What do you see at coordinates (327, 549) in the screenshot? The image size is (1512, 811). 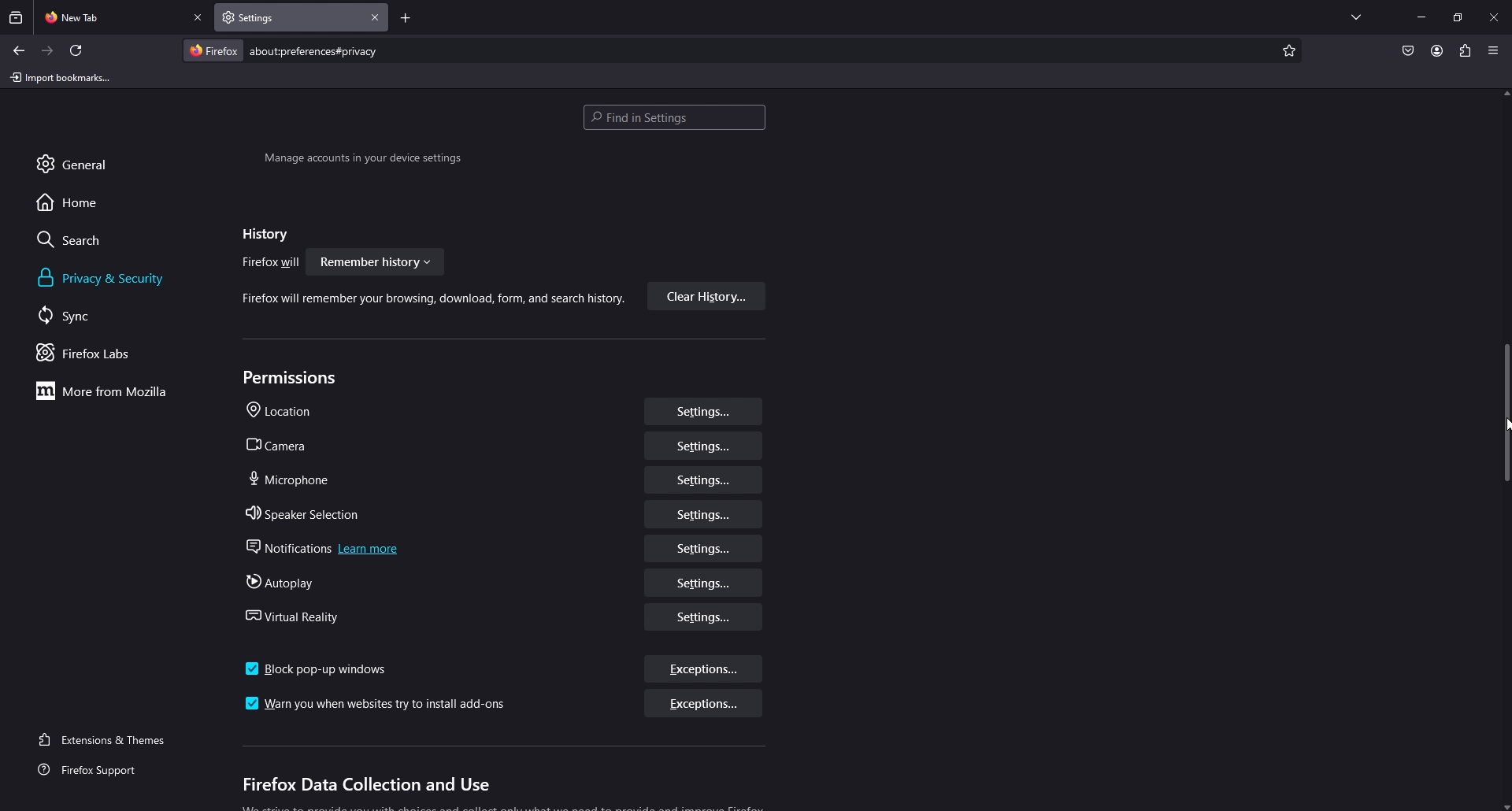 I see `notifications` at bounding box center [327, 549].